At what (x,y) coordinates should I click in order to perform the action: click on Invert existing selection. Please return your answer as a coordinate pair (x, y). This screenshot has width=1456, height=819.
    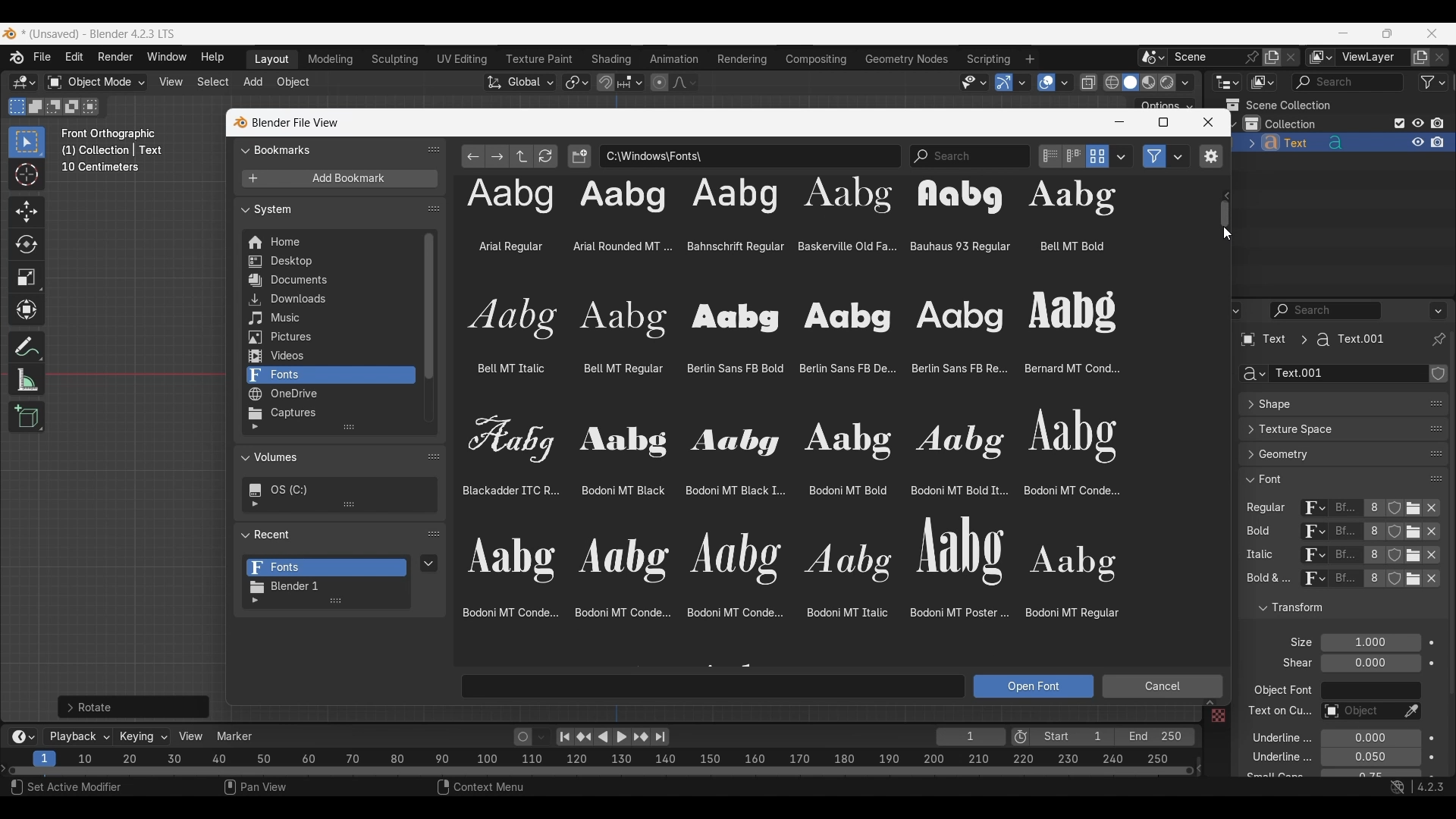
    Looking at the image, I should click on (72, 107).